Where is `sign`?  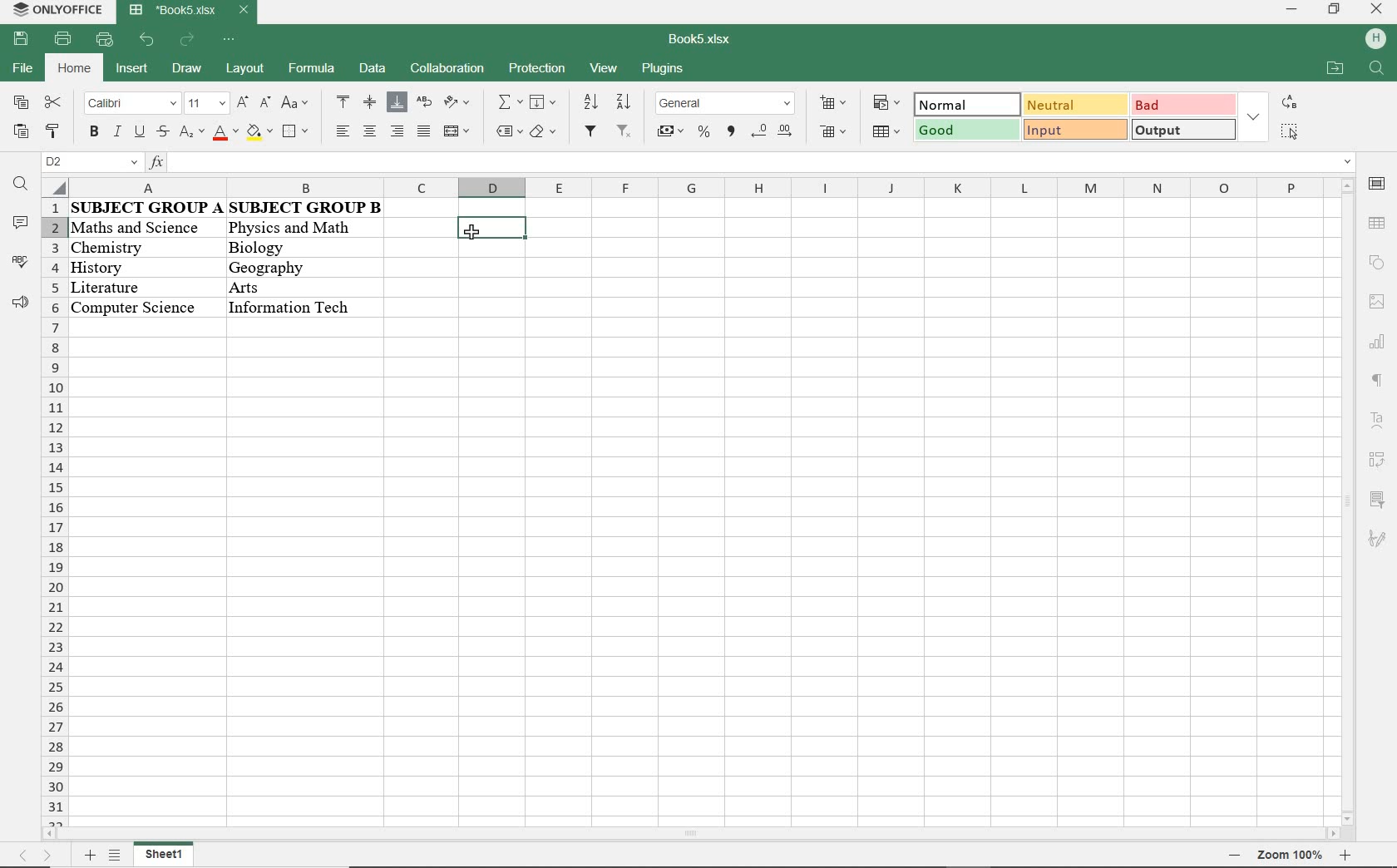
sign is located at coordinates (1381, 502).